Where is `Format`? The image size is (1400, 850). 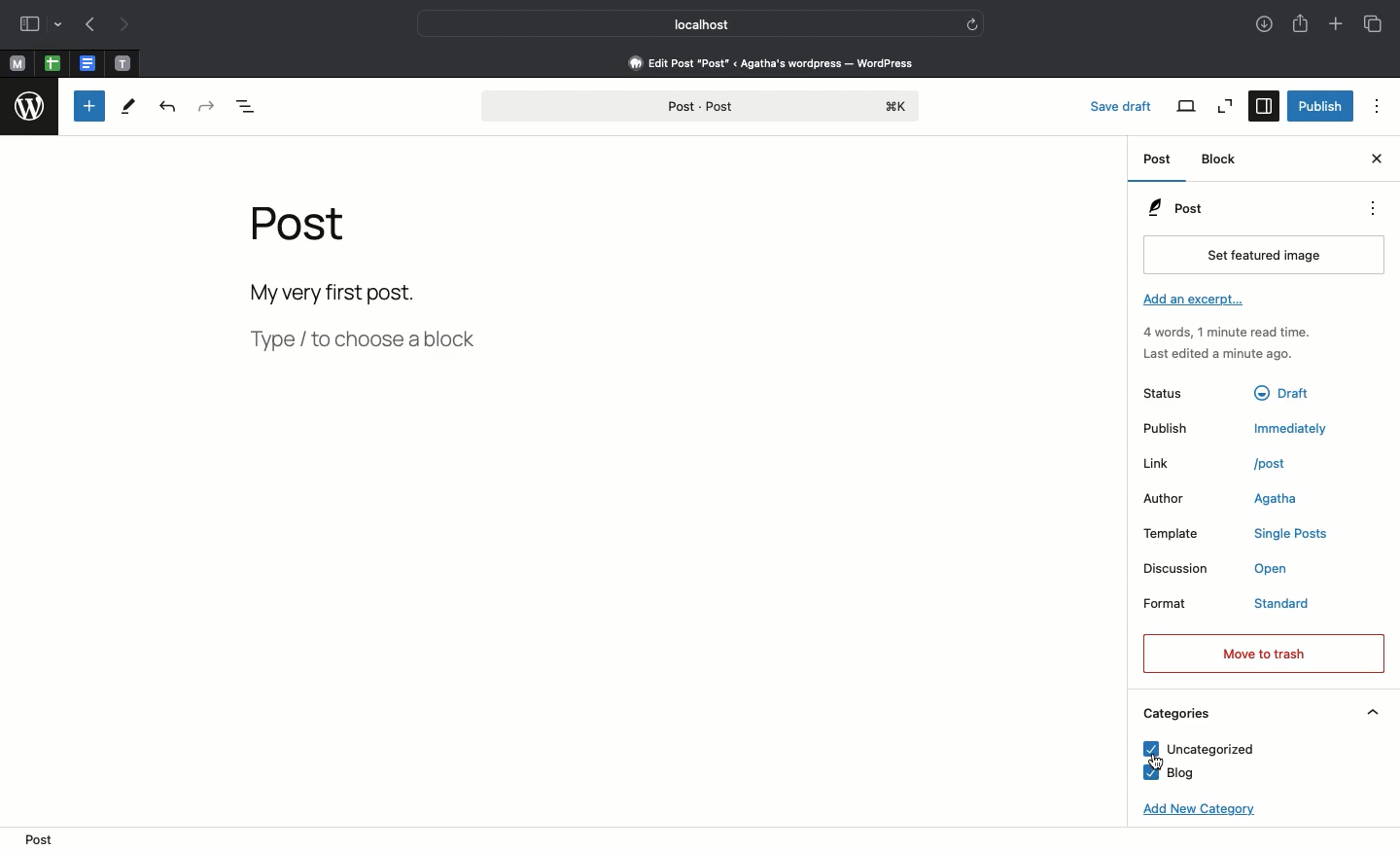
Format is located at coordinates (1182, 607).